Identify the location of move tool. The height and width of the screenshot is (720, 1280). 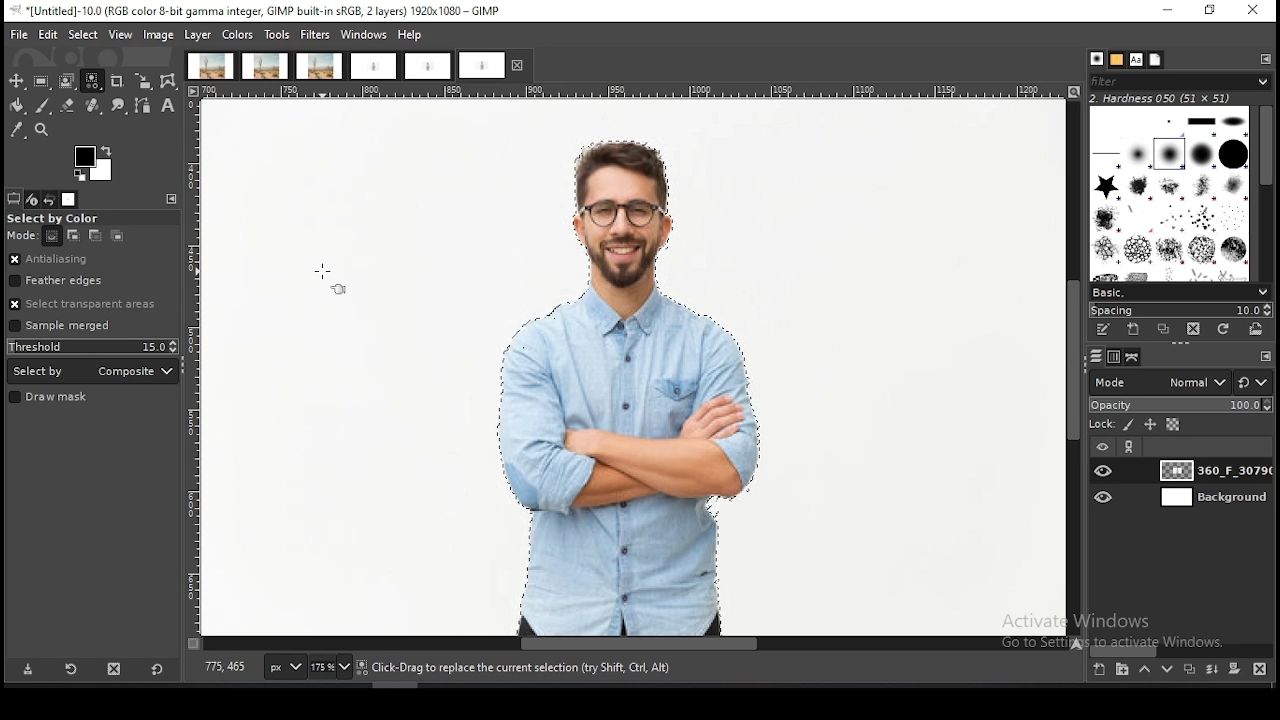
(16, 81).